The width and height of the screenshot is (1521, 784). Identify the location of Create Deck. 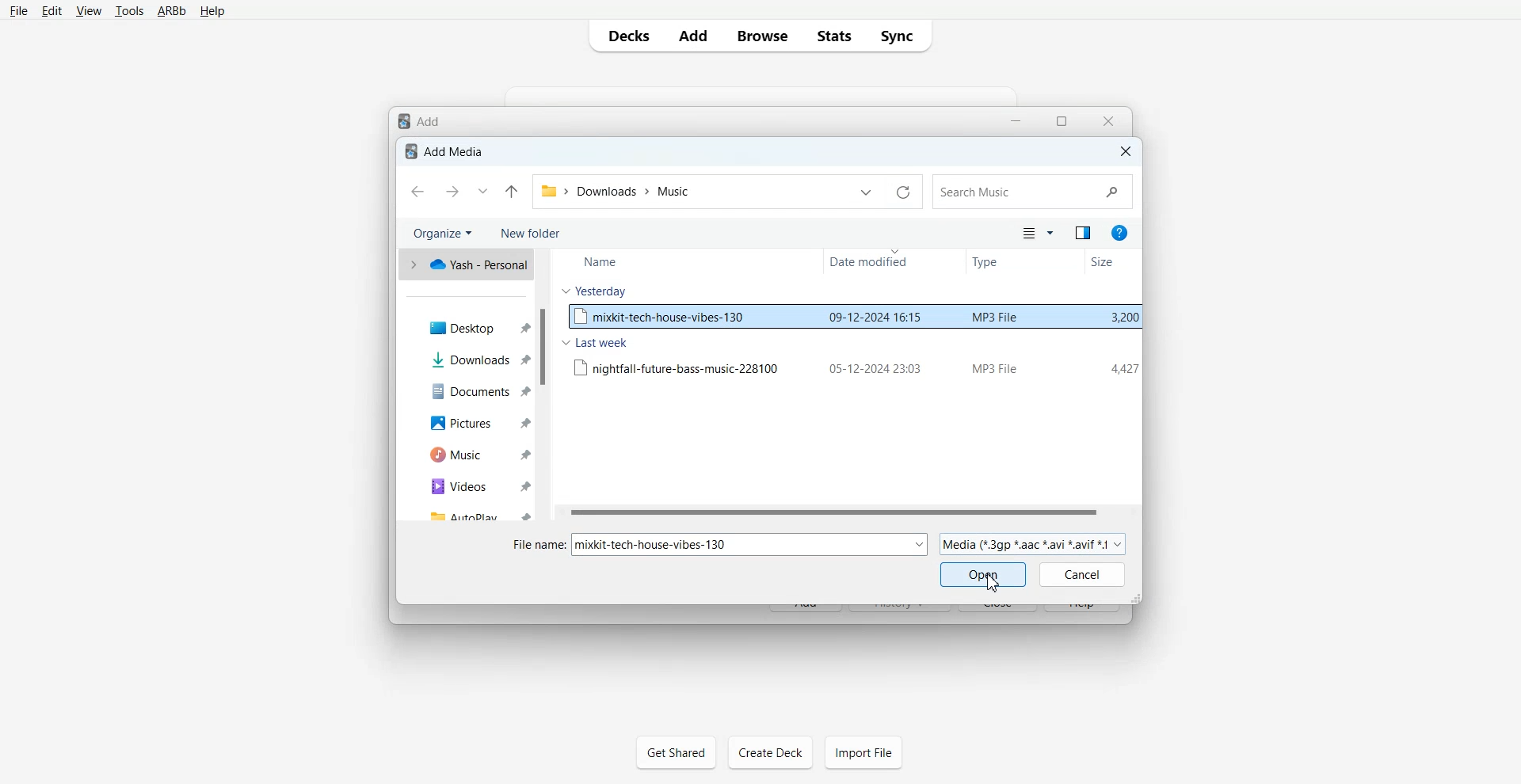
(770, 752).